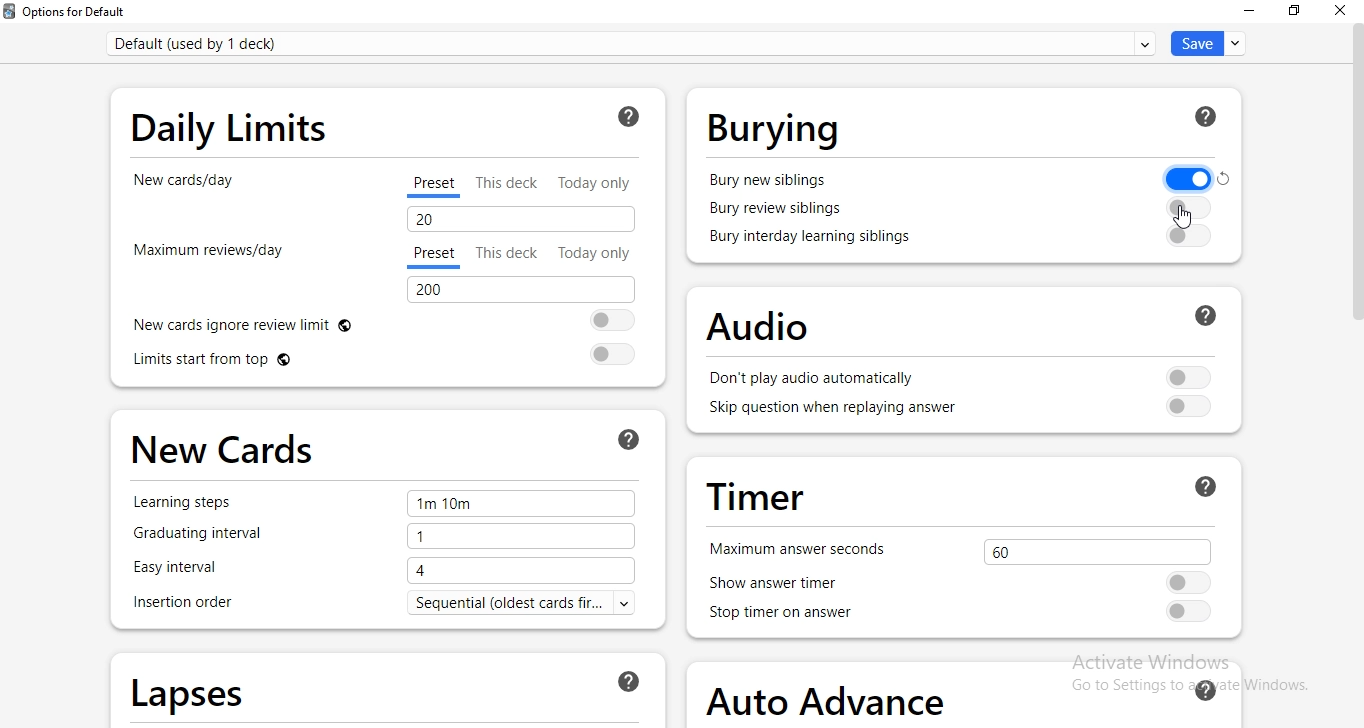 This screenshot has height=728, width=1364. Describe the element at coordinates (1192, 610) in the screenshot. I see `toggle` at that location.